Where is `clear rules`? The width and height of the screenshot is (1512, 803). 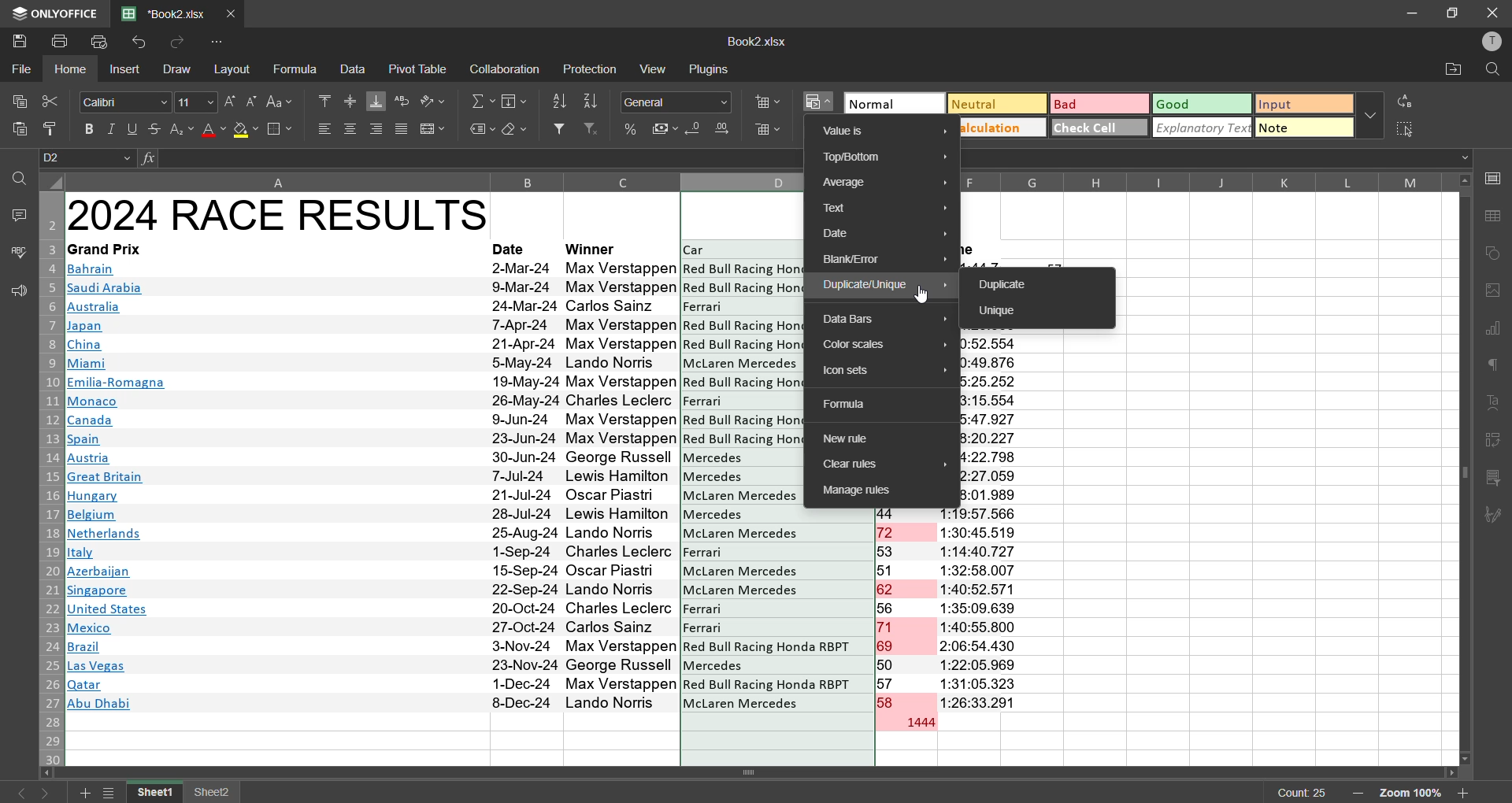 clear rules is located at coordinates (879, 464).